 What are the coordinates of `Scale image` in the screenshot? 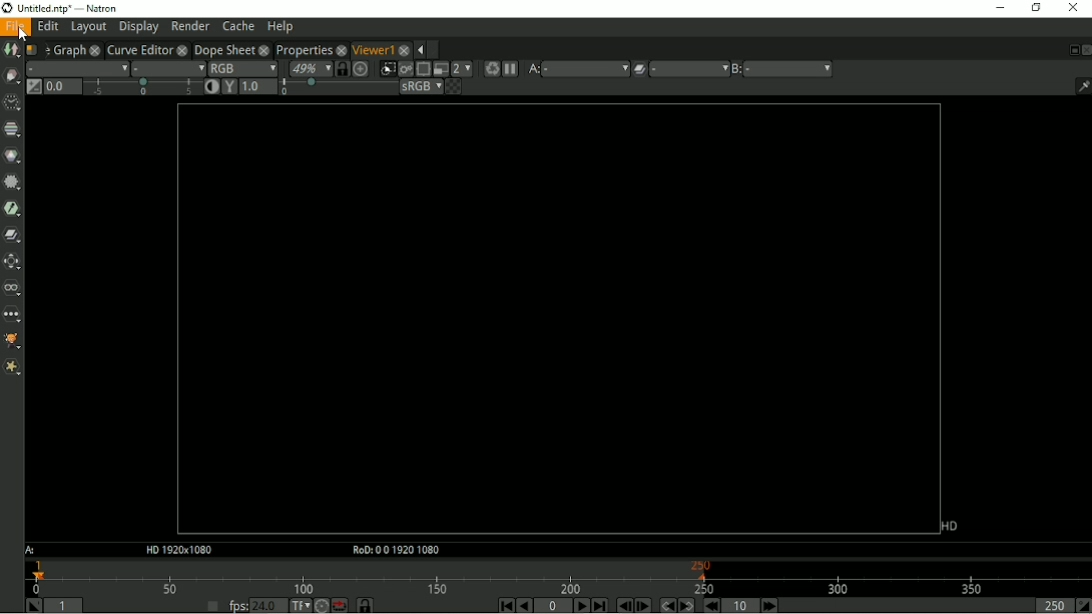 It's located at (362, 68).